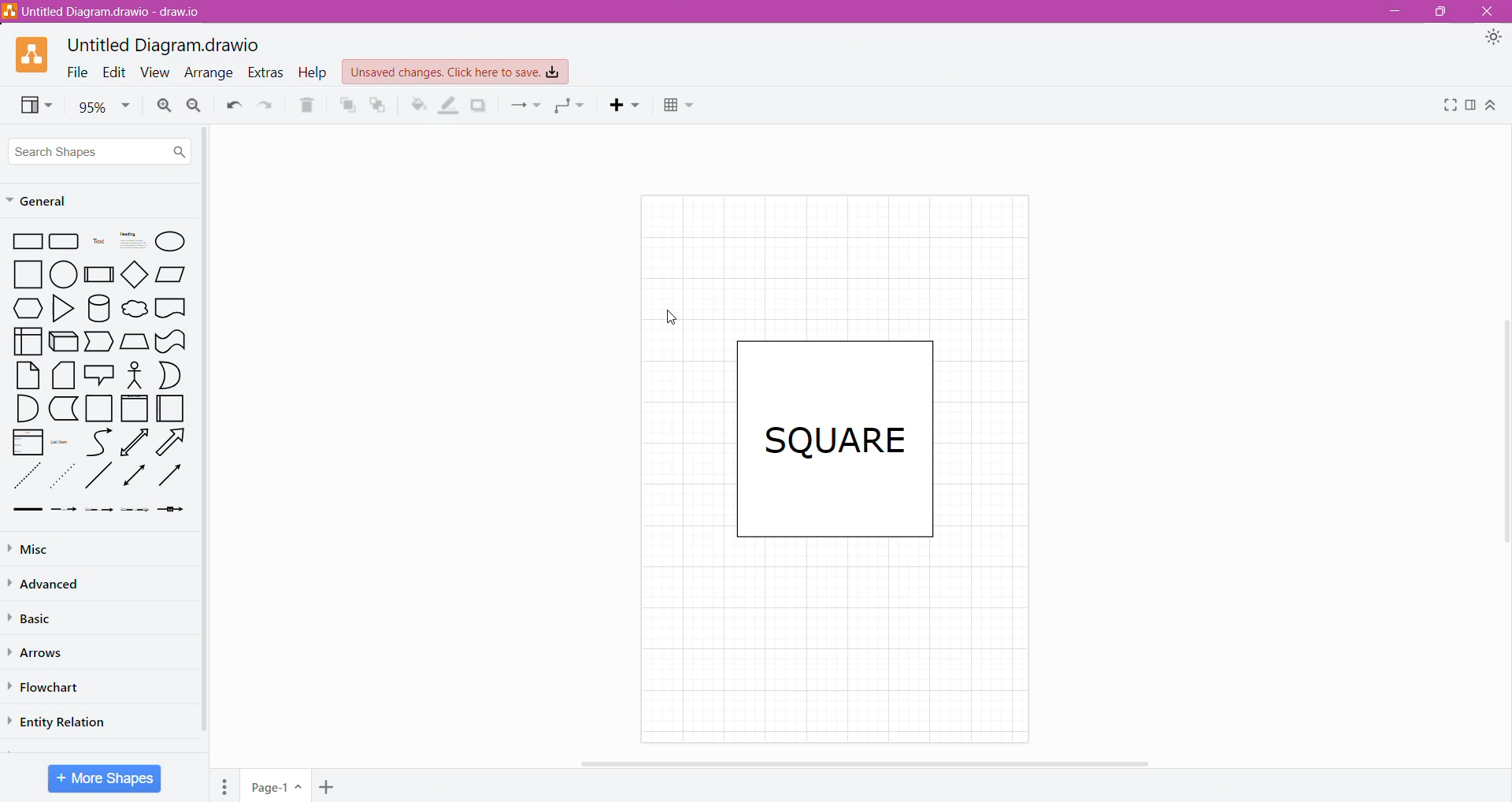 The image size is (1512, 802). What do you see at coordinates (24, 444) in the screenshot?
I see `List box` at bounding box center [24, 444].